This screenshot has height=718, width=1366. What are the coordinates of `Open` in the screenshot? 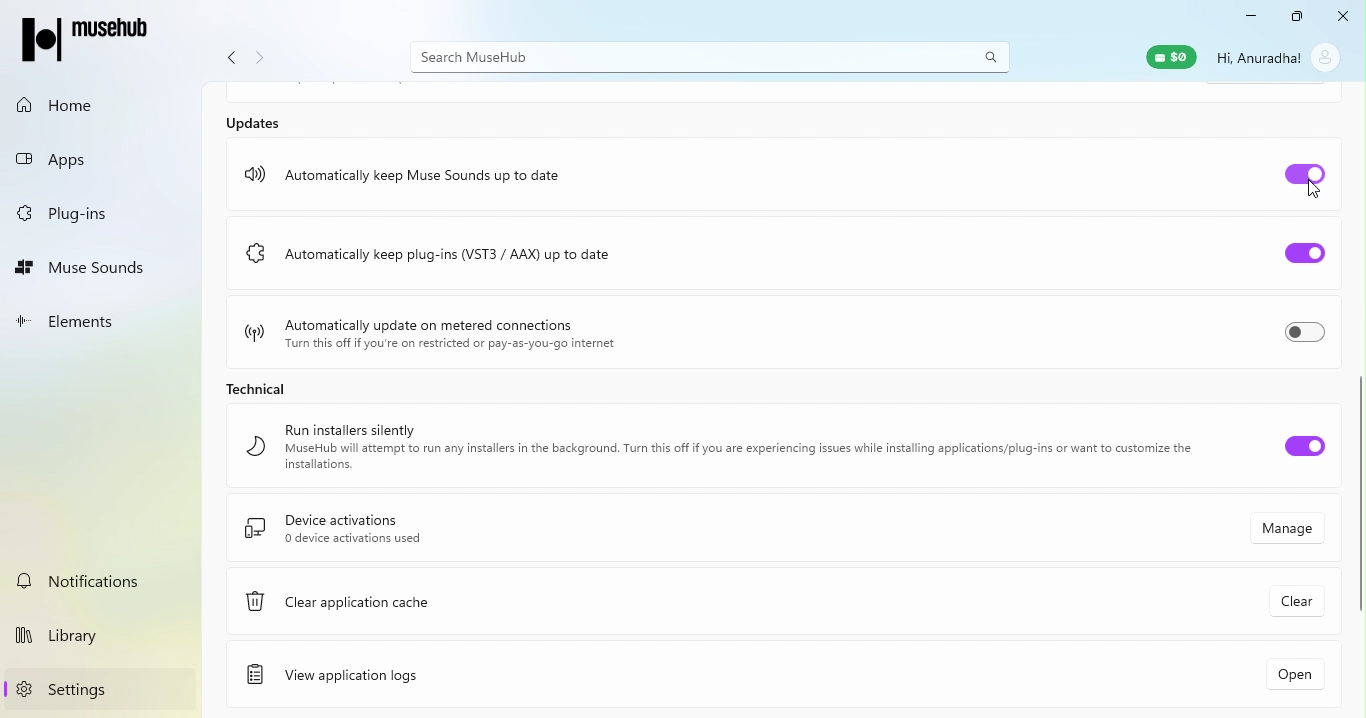 It's located at (1289, 673).